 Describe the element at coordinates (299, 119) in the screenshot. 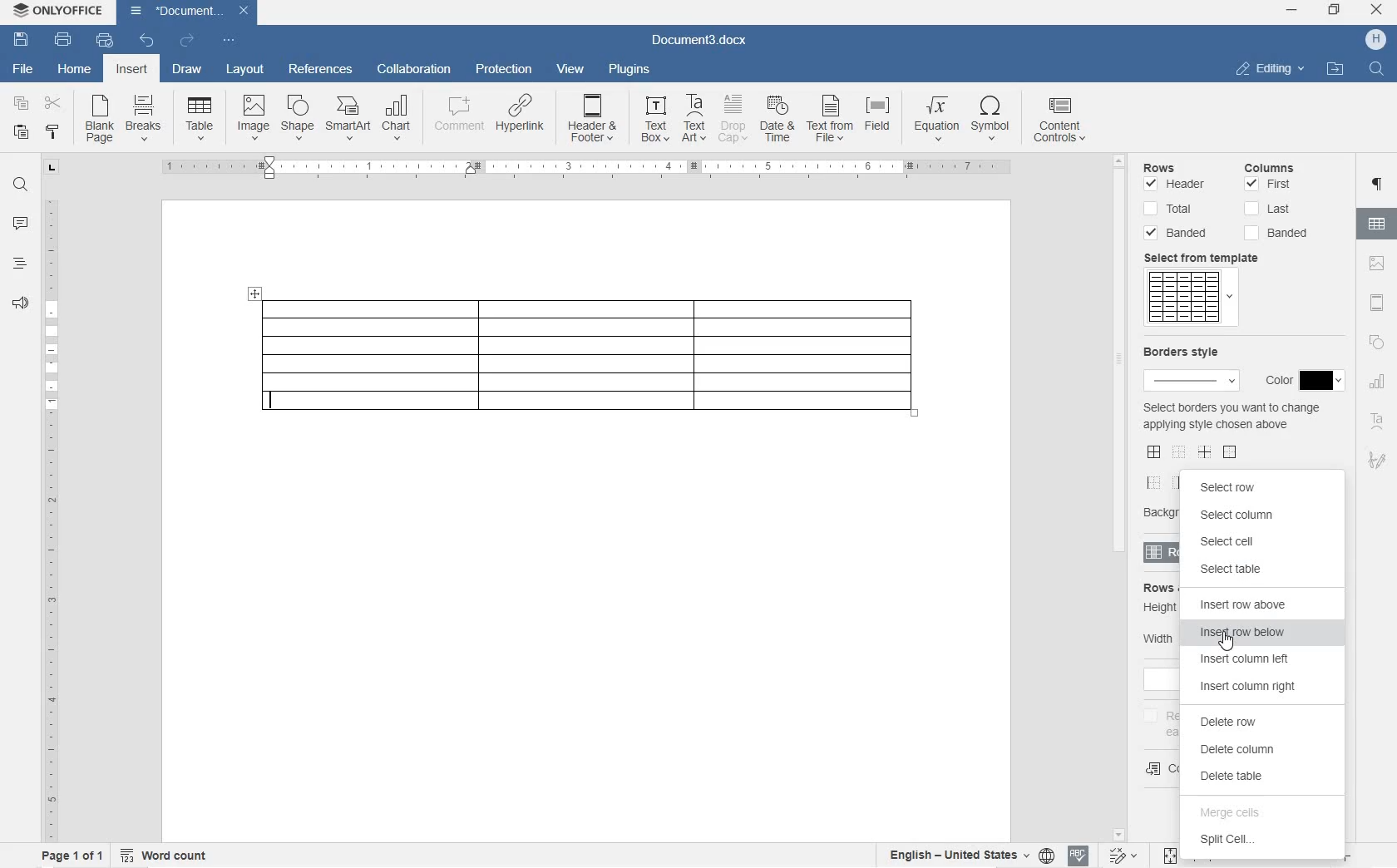

I see `SHAPE` at that location.